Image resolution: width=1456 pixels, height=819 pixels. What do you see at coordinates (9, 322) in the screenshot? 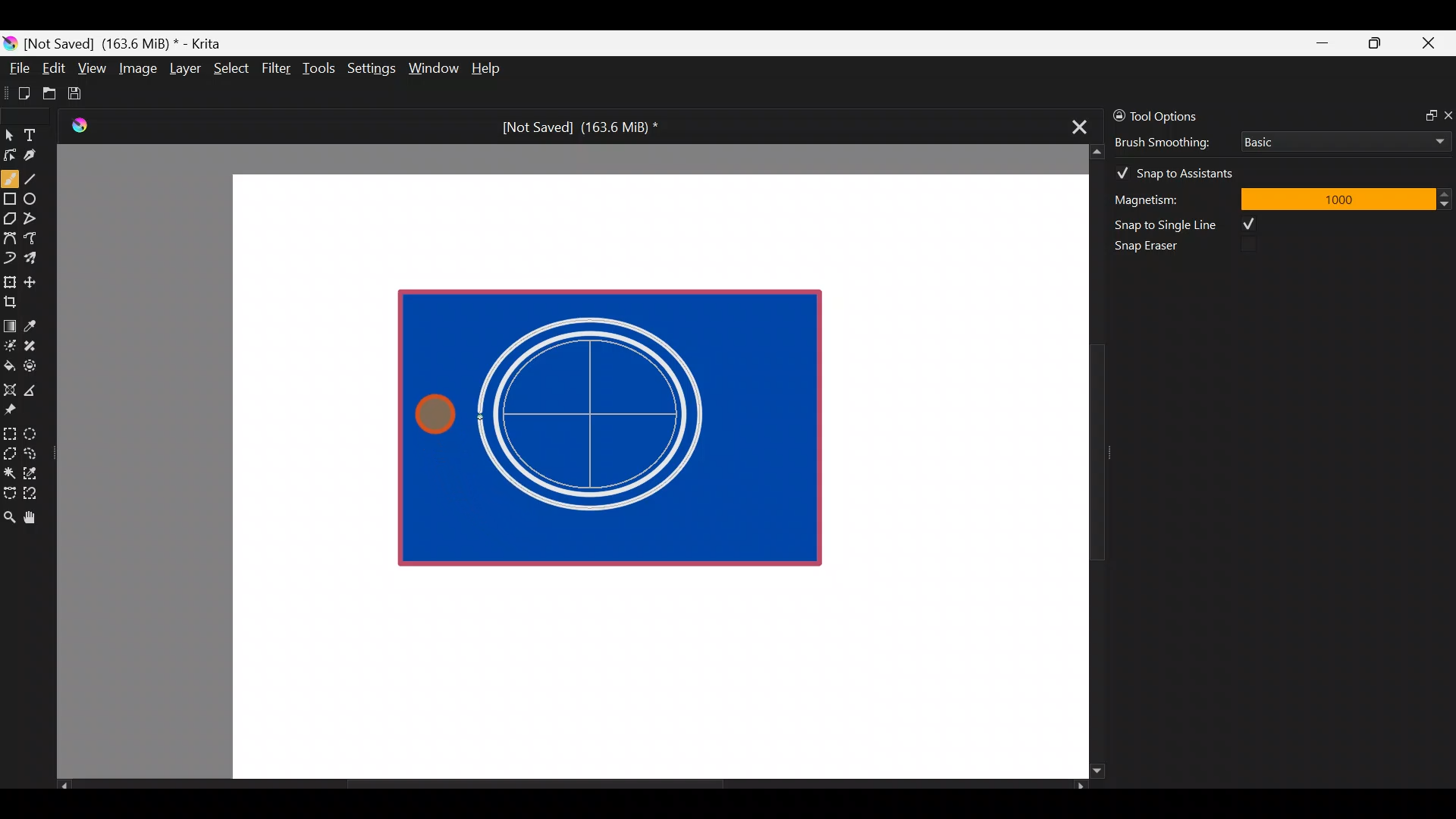
I see `Draw a gradient` at bounding box center [9, 322].